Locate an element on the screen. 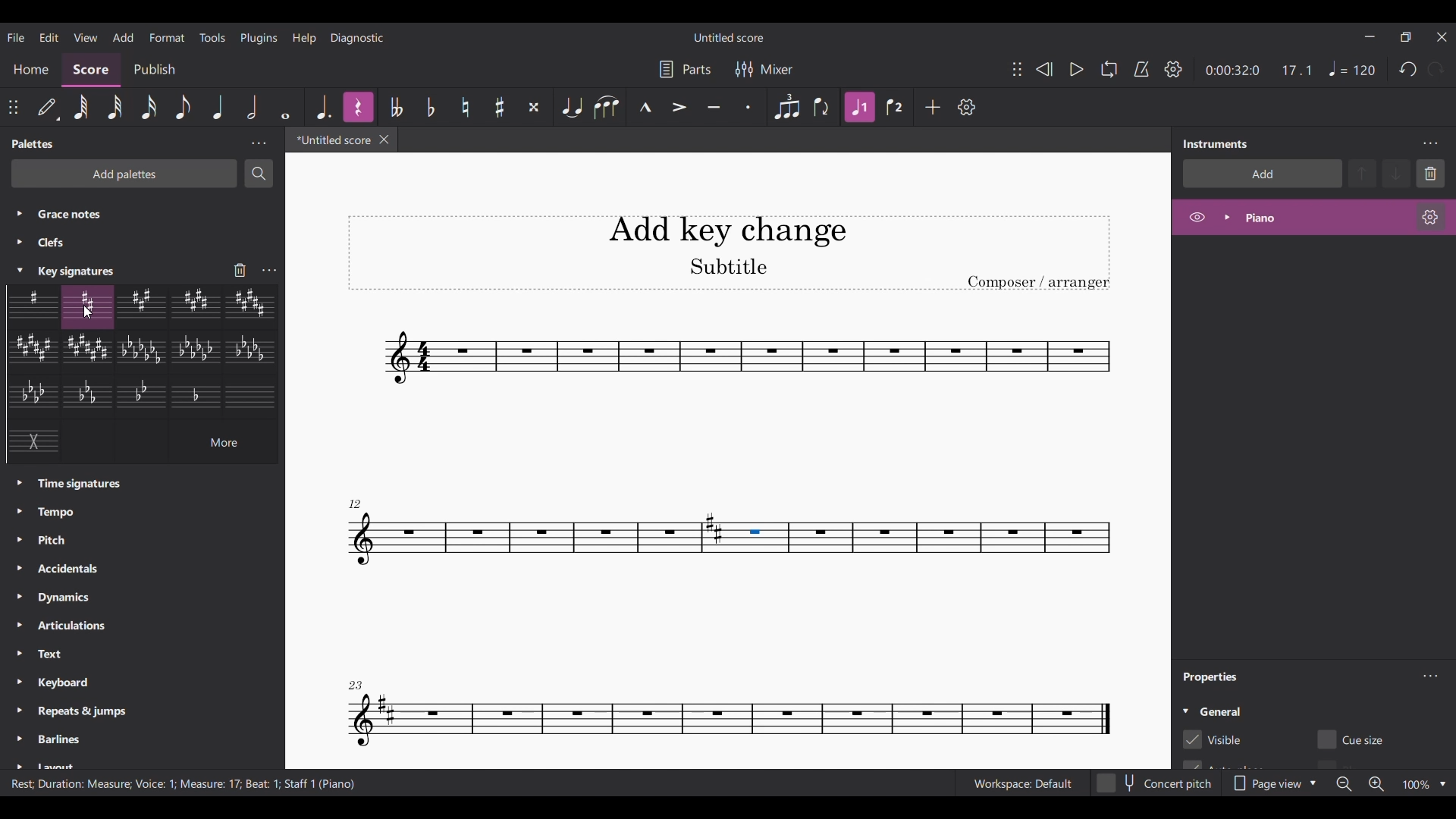 This screenshot has height=819, width=1456. Zoom out is located at coordinates (1344, 784).